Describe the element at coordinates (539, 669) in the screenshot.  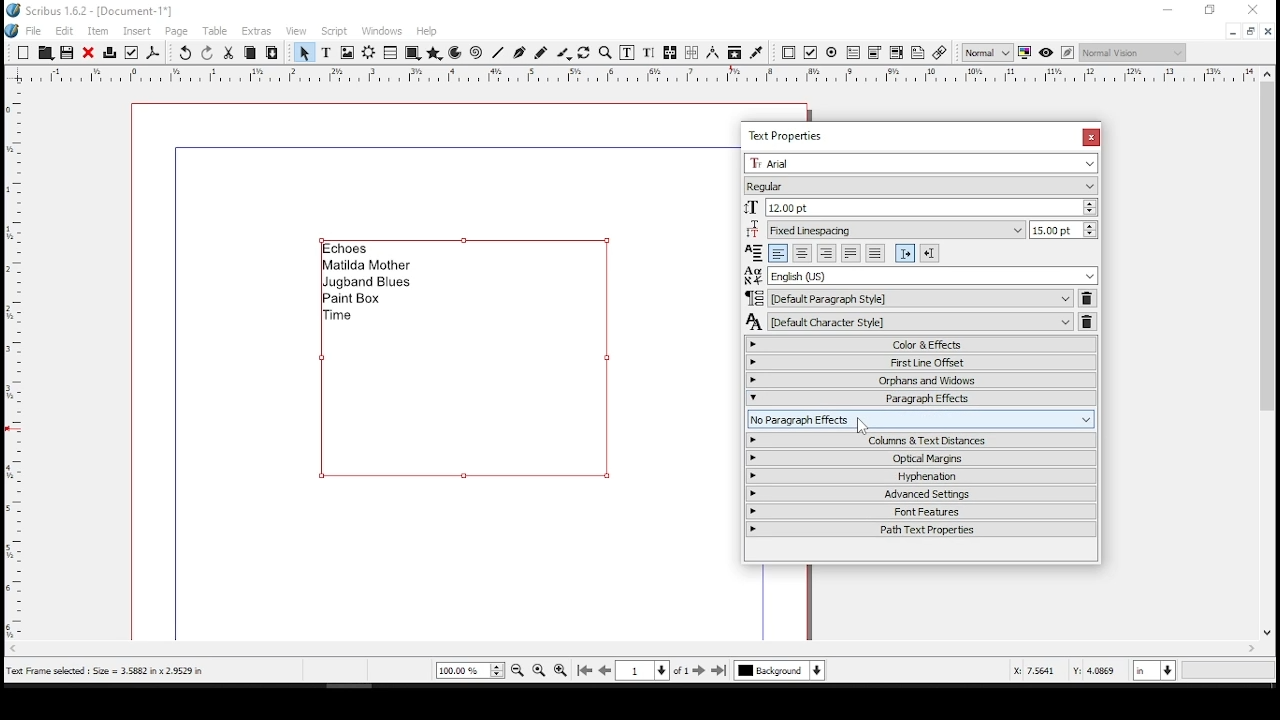
I see `zoom to 100%` at that location.